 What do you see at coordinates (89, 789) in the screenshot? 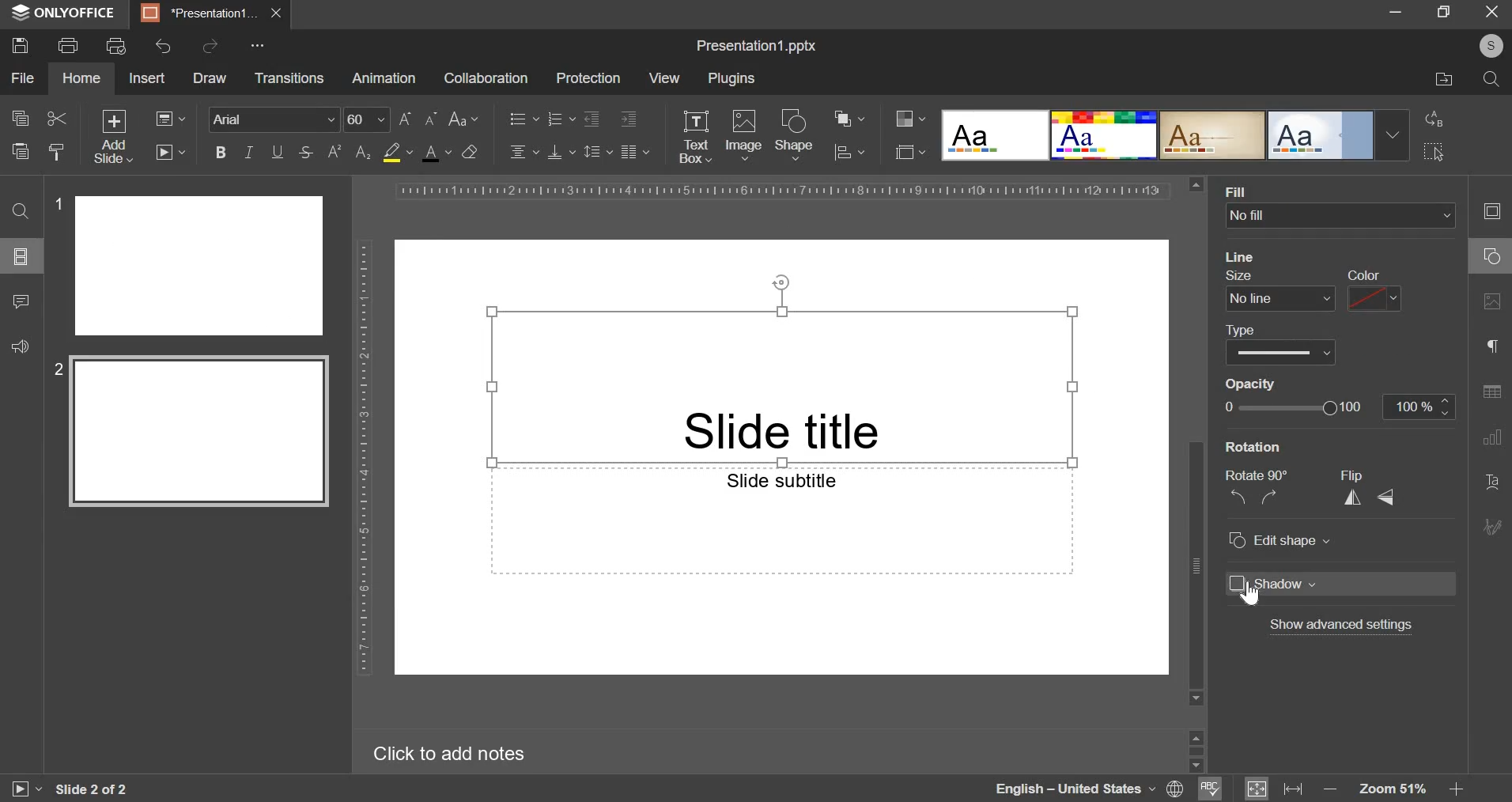
I see `slide 1 of 1` at bounding box center [89, 789].